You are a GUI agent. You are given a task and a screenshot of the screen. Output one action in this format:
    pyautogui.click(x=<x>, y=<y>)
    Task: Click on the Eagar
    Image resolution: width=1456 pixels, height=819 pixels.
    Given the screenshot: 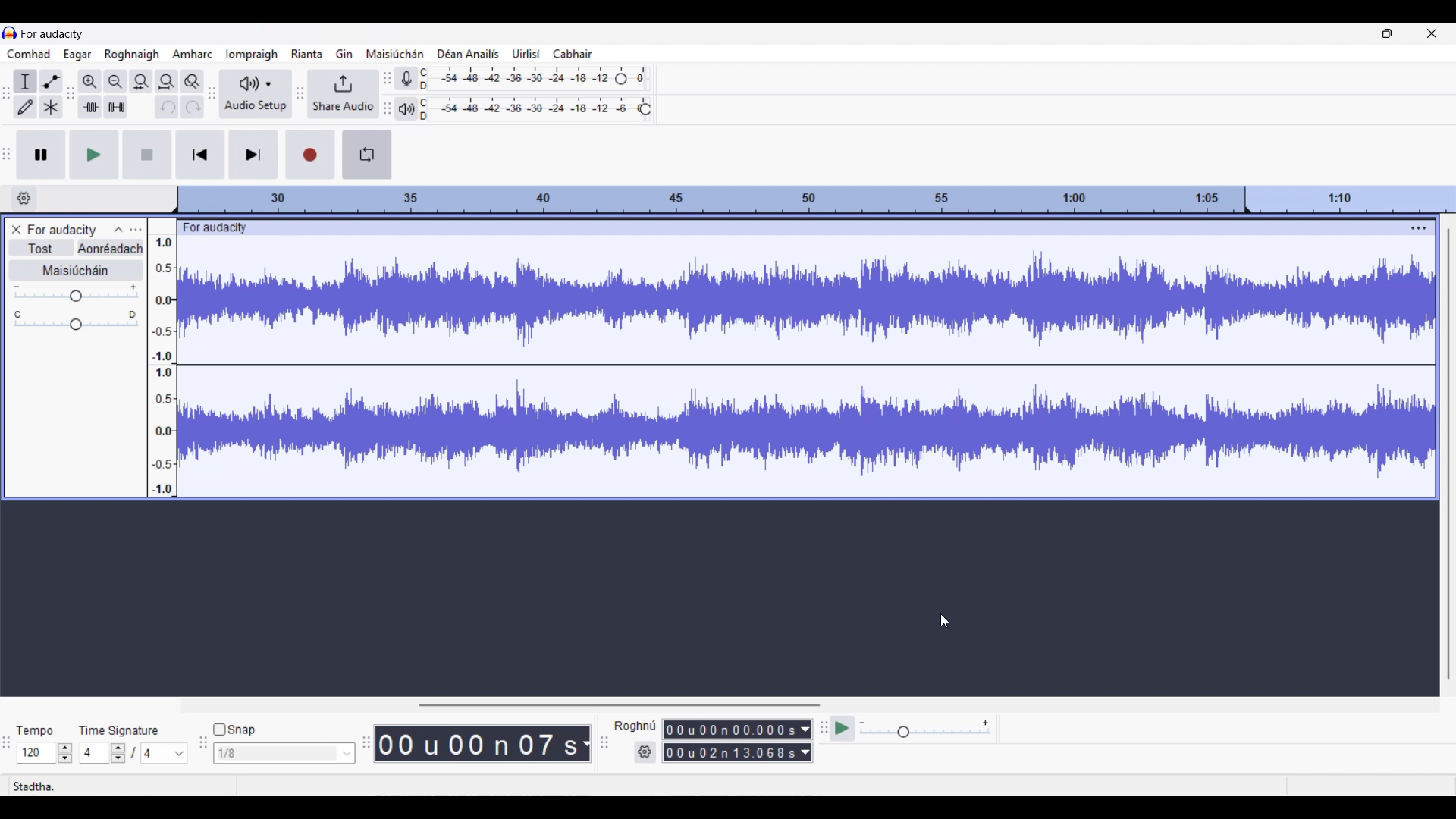 What is the action you would take?
    pyautogui.click(x=78, y=55)
    